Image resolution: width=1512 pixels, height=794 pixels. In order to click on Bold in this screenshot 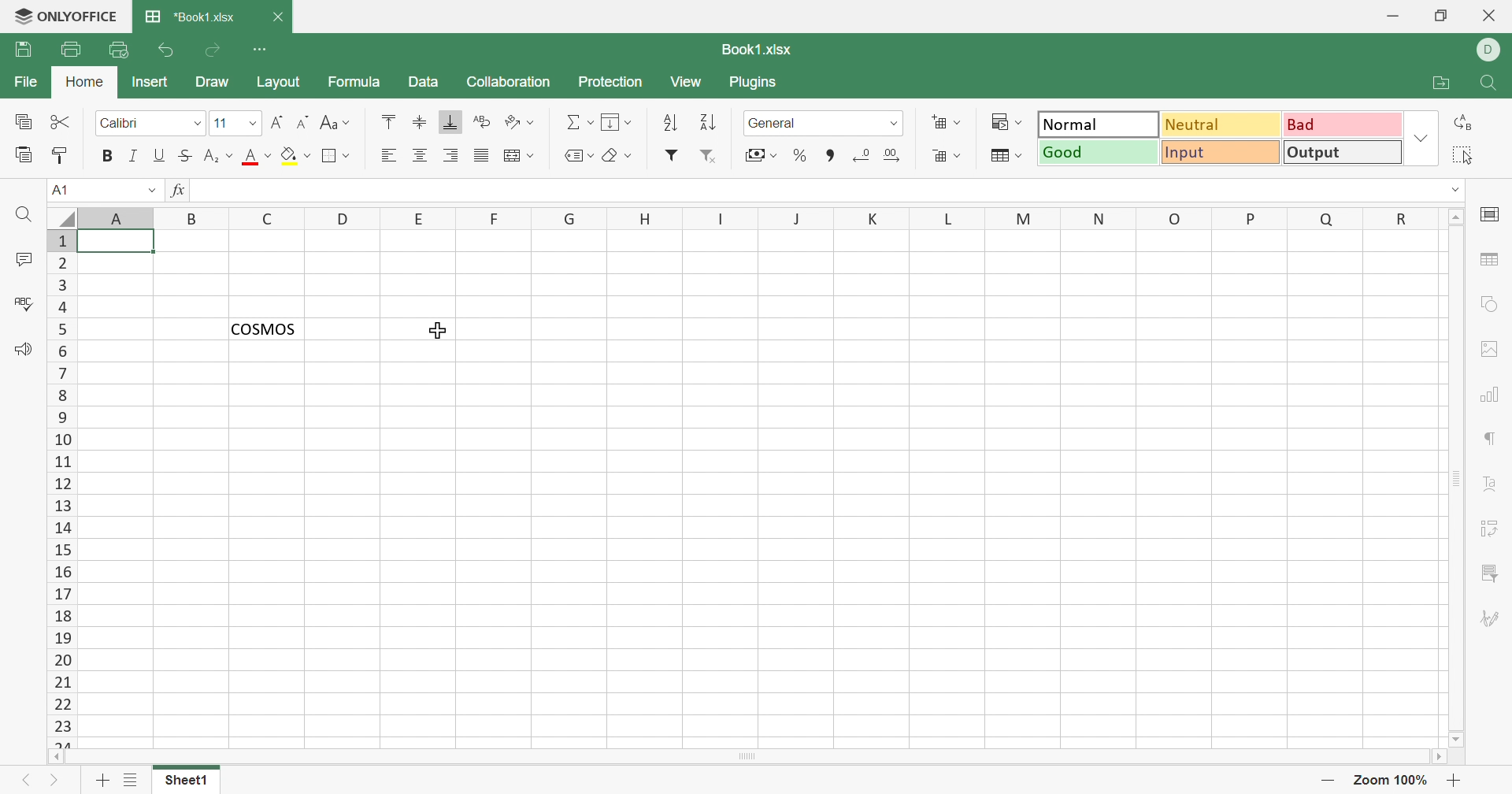, I will do `click(106, 156)`.